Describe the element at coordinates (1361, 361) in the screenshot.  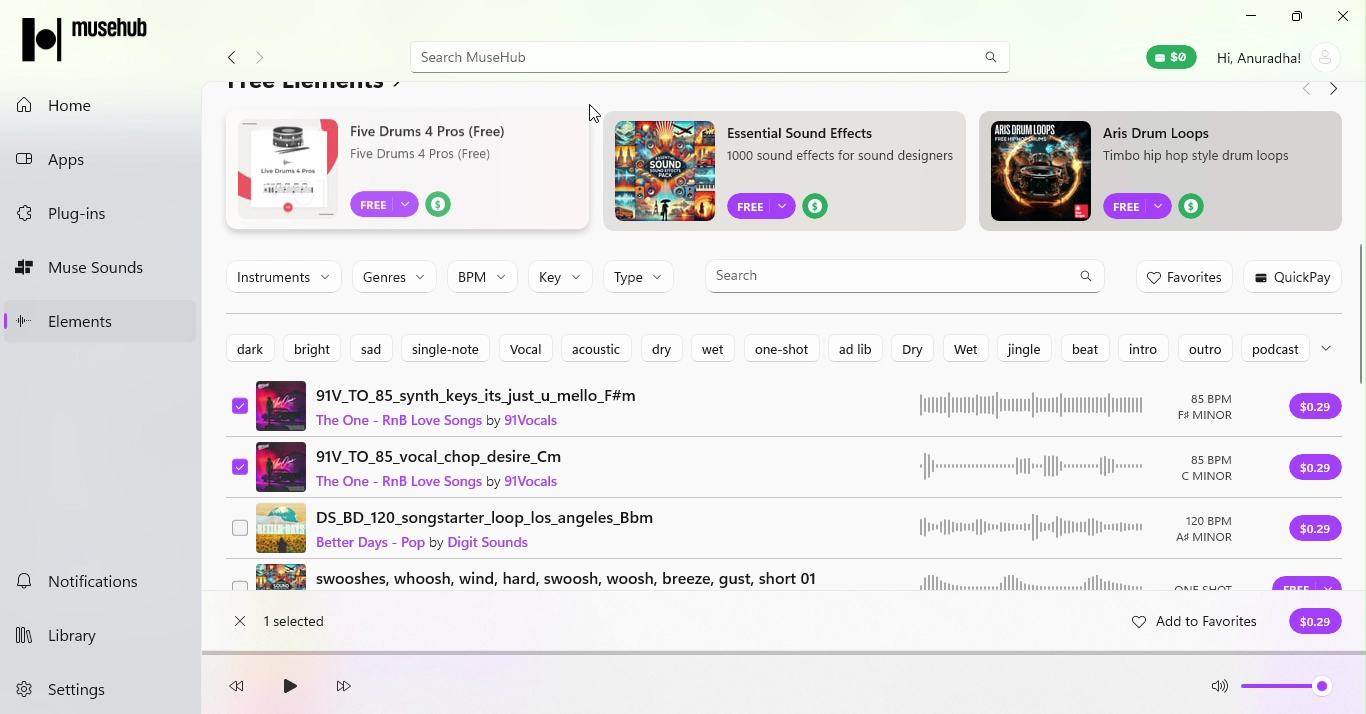
I see `scroll bar` at that location.